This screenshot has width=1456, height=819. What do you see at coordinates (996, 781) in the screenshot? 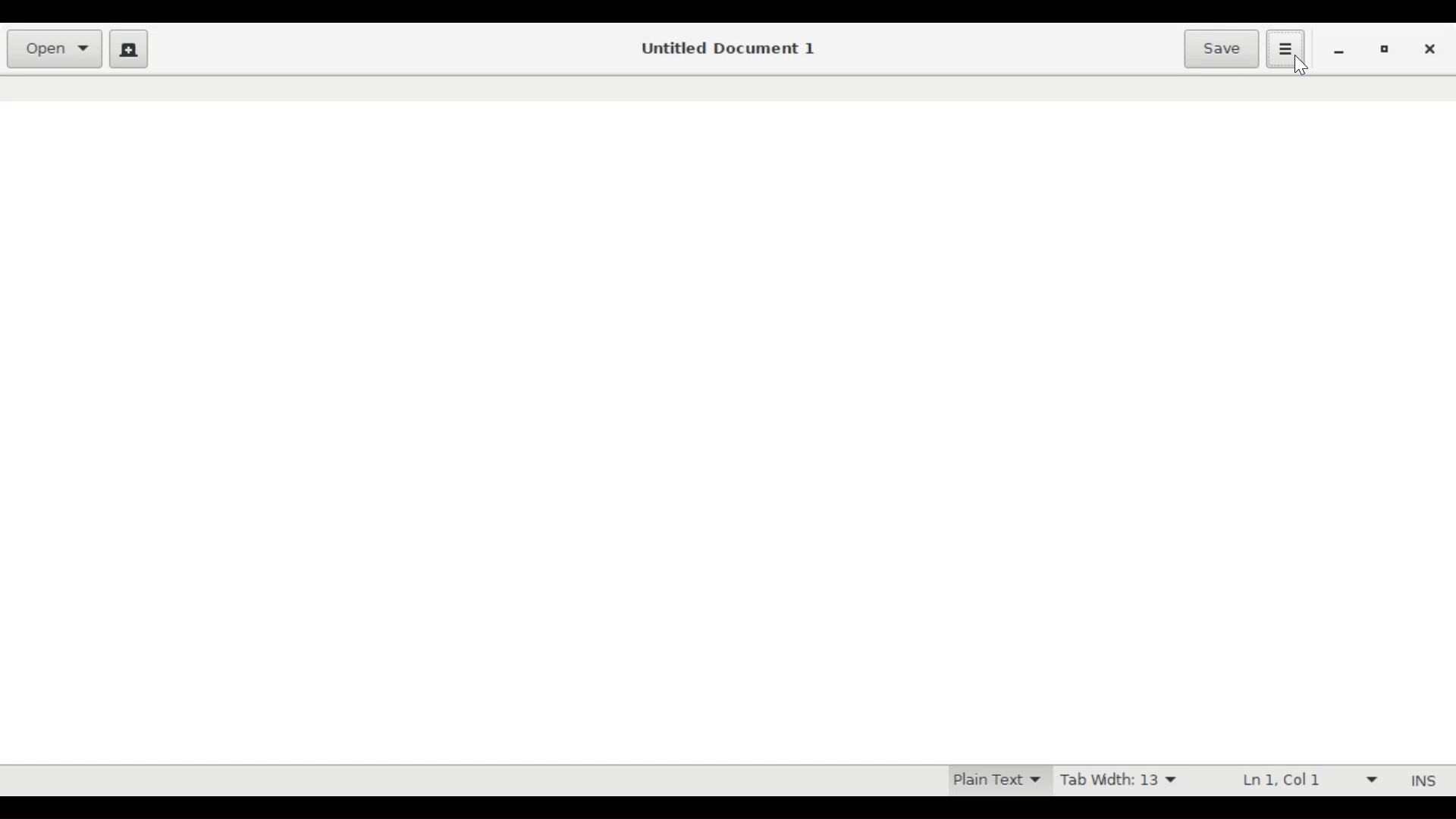
I see `Plain Text` at bounding box center [996, 781].